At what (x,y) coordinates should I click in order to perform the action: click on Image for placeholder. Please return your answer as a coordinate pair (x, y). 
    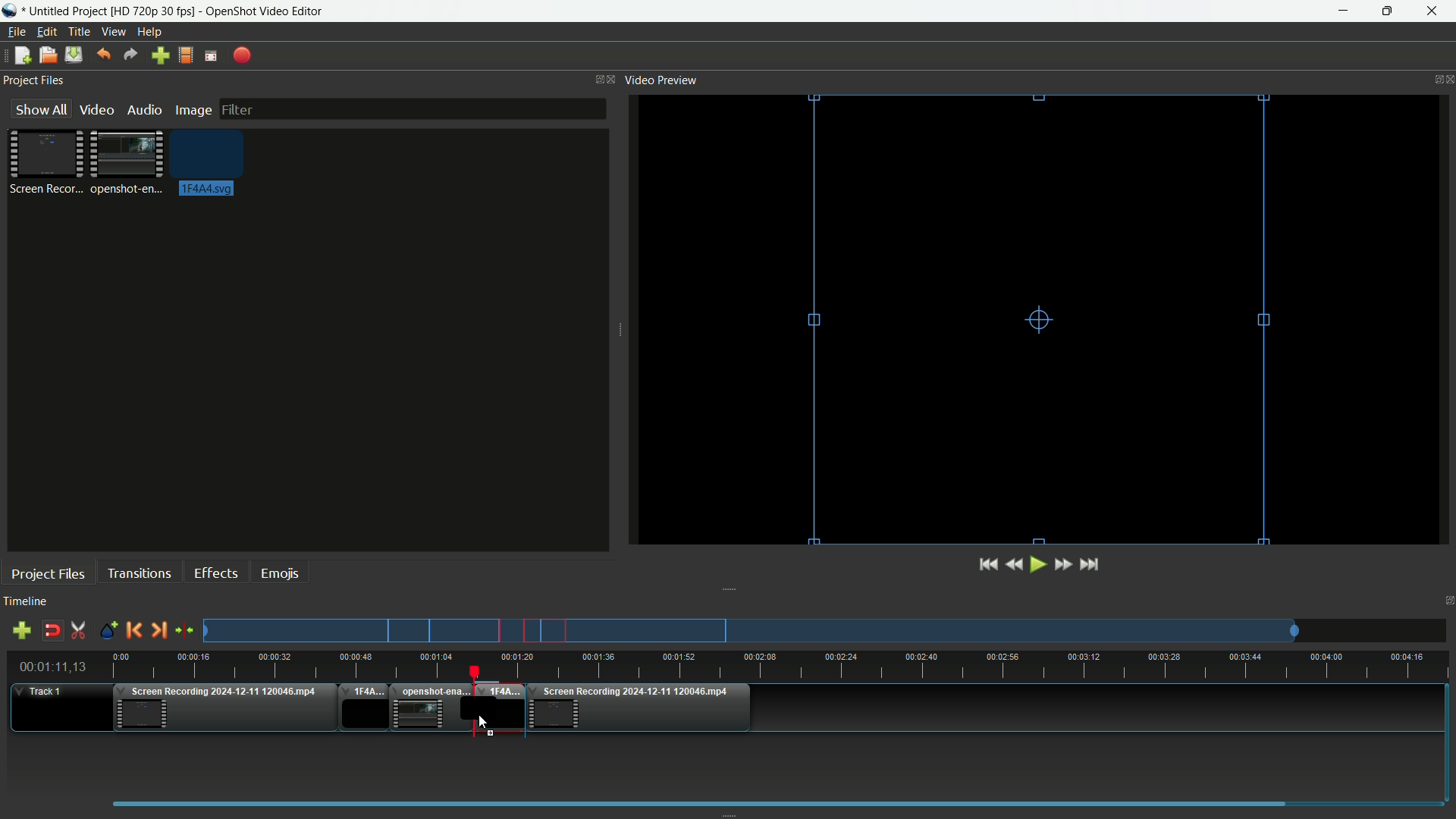
    Looking at the image, I should click on (211, 162).